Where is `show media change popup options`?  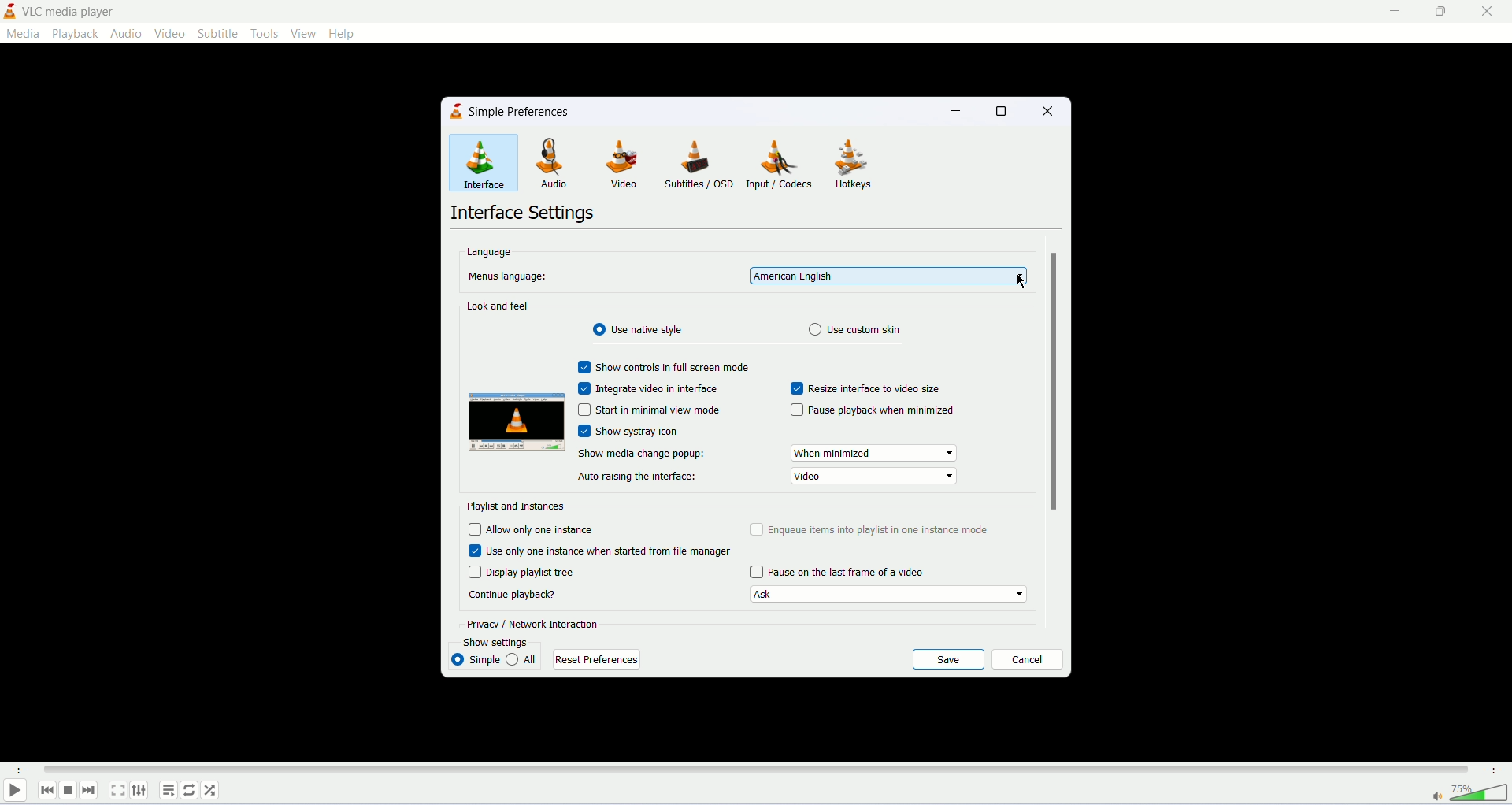
show media change popup options is located at coordinates (873, 453).